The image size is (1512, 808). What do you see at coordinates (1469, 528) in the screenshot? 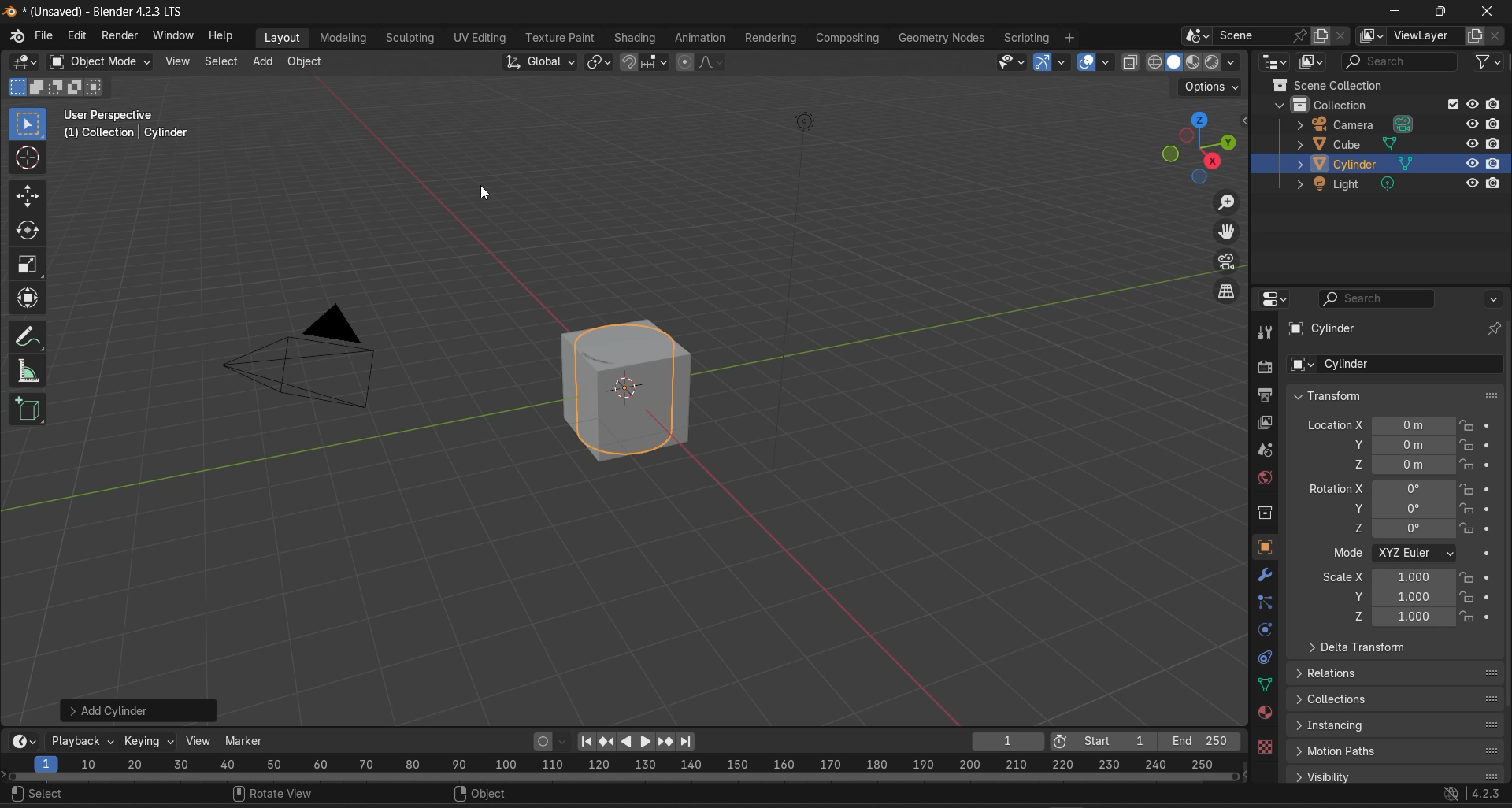
I see `lock rotation` at bounding box center [1469, 528].